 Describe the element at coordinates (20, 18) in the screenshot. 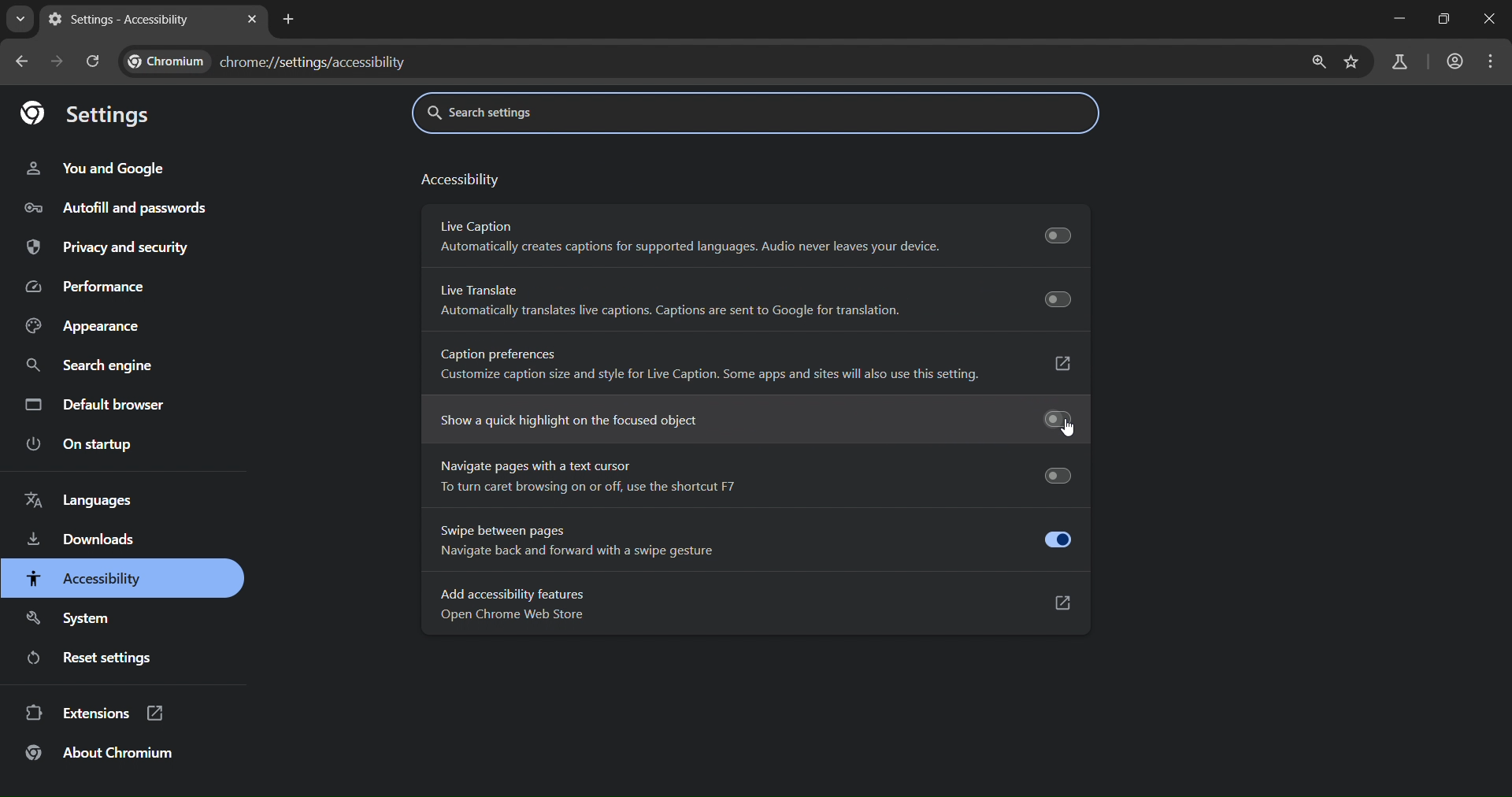

I see `search tabs` at that location.